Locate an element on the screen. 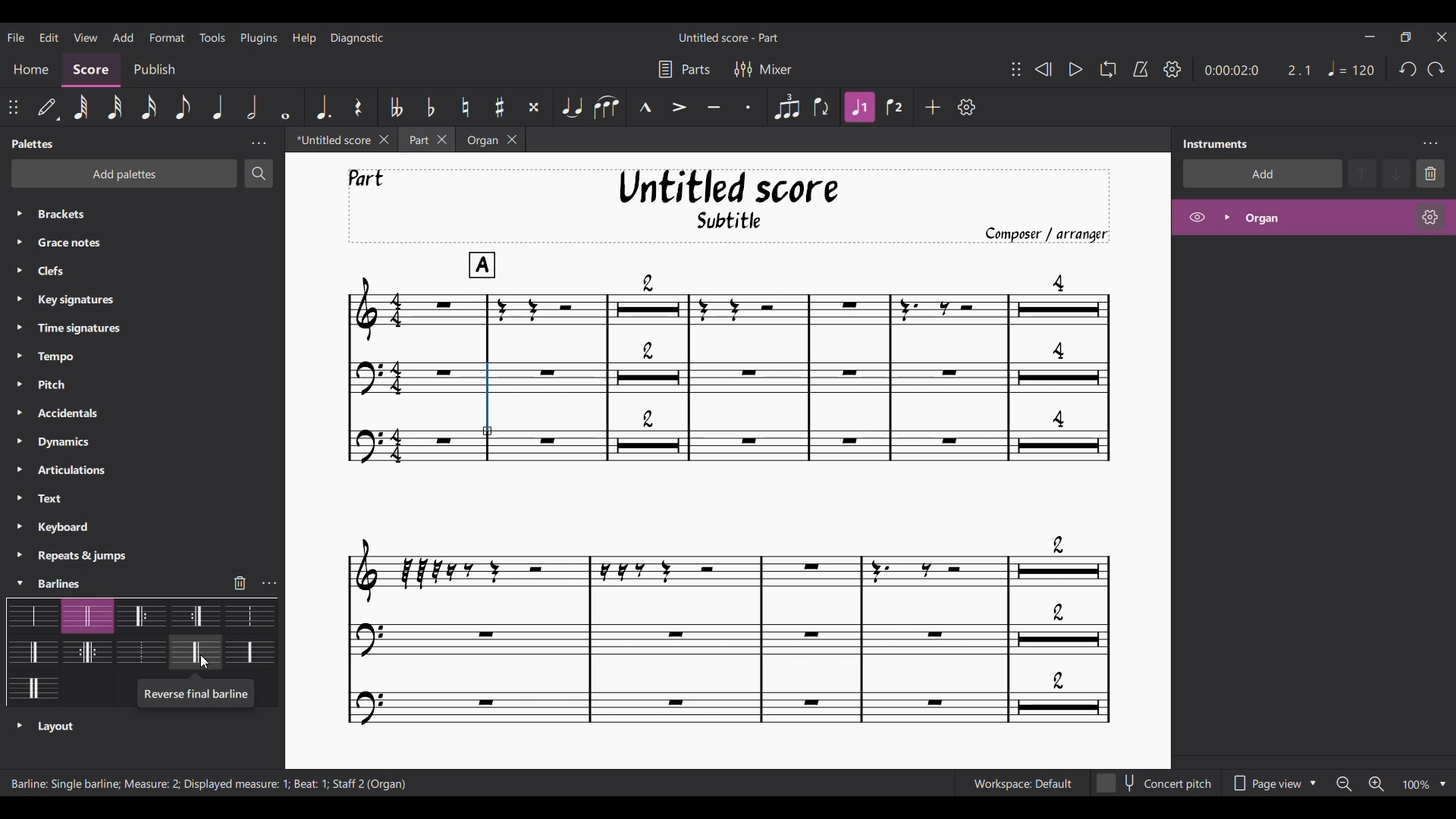 Image resolution: width=1456 pixels, height=819 pixels. Move selection up  is located at coordinates (1362, 173).